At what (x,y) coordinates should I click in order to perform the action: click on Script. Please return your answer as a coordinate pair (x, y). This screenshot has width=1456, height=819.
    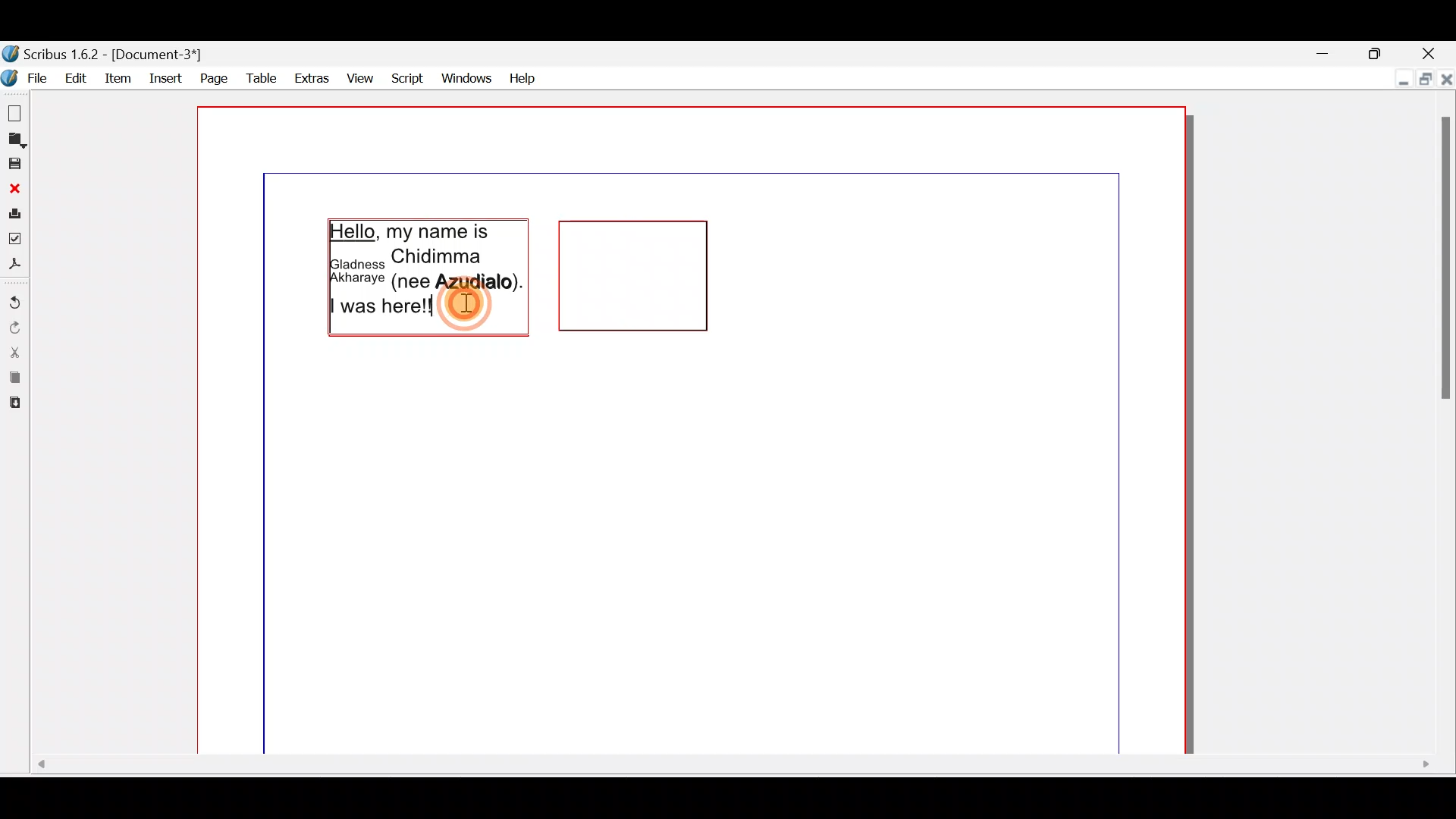
    Looking at the image, I should click on (408, 76).